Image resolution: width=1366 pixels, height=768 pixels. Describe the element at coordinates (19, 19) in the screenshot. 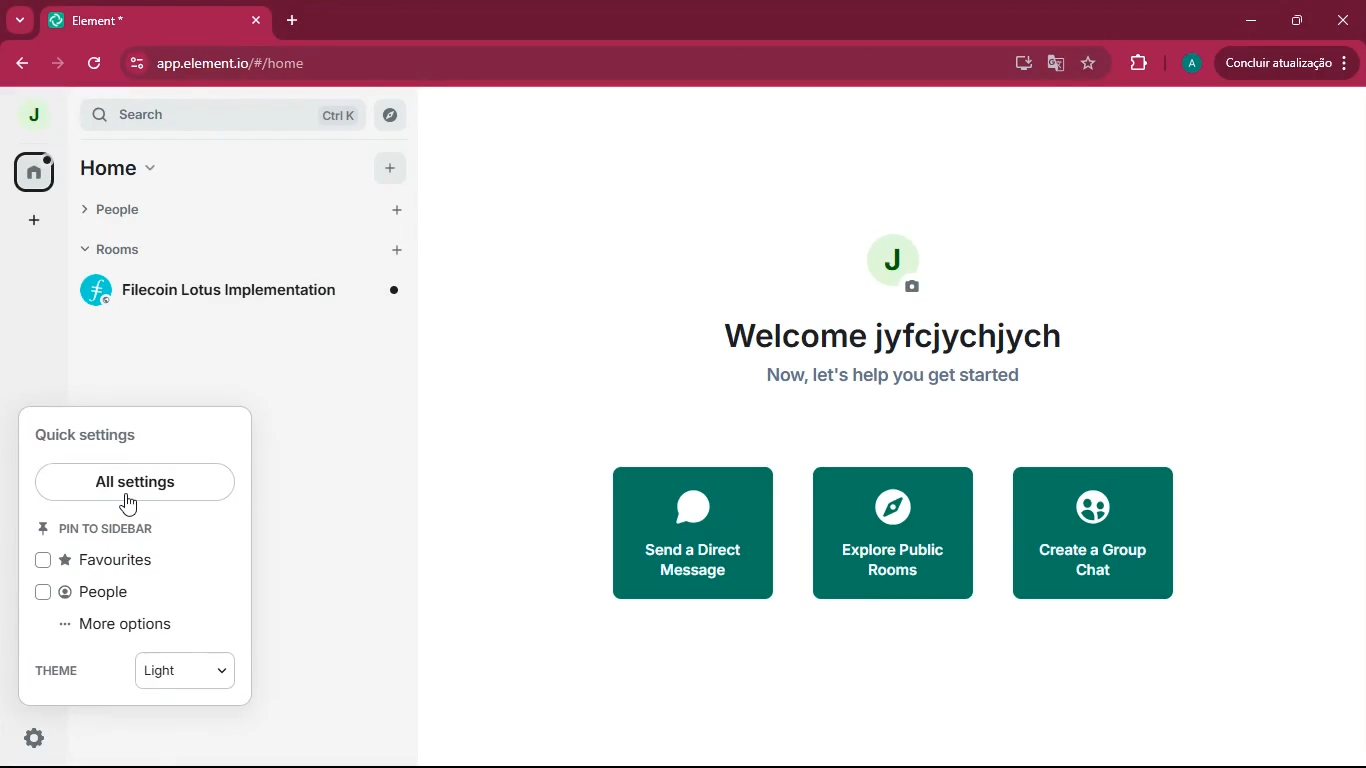

I see `more` at that location.